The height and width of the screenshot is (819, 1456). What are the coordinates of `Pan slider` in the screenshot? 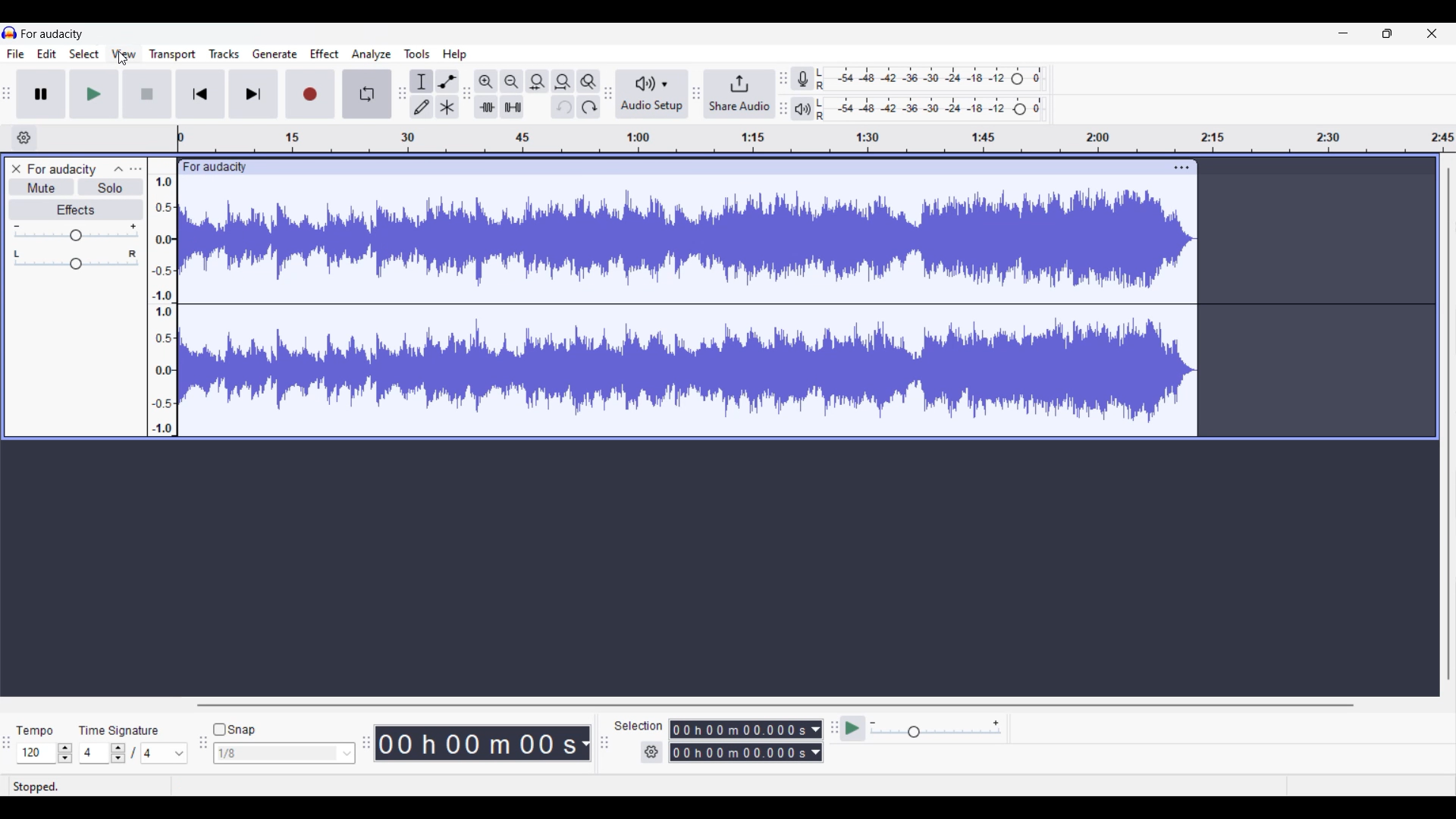 It's located at (76, 260).